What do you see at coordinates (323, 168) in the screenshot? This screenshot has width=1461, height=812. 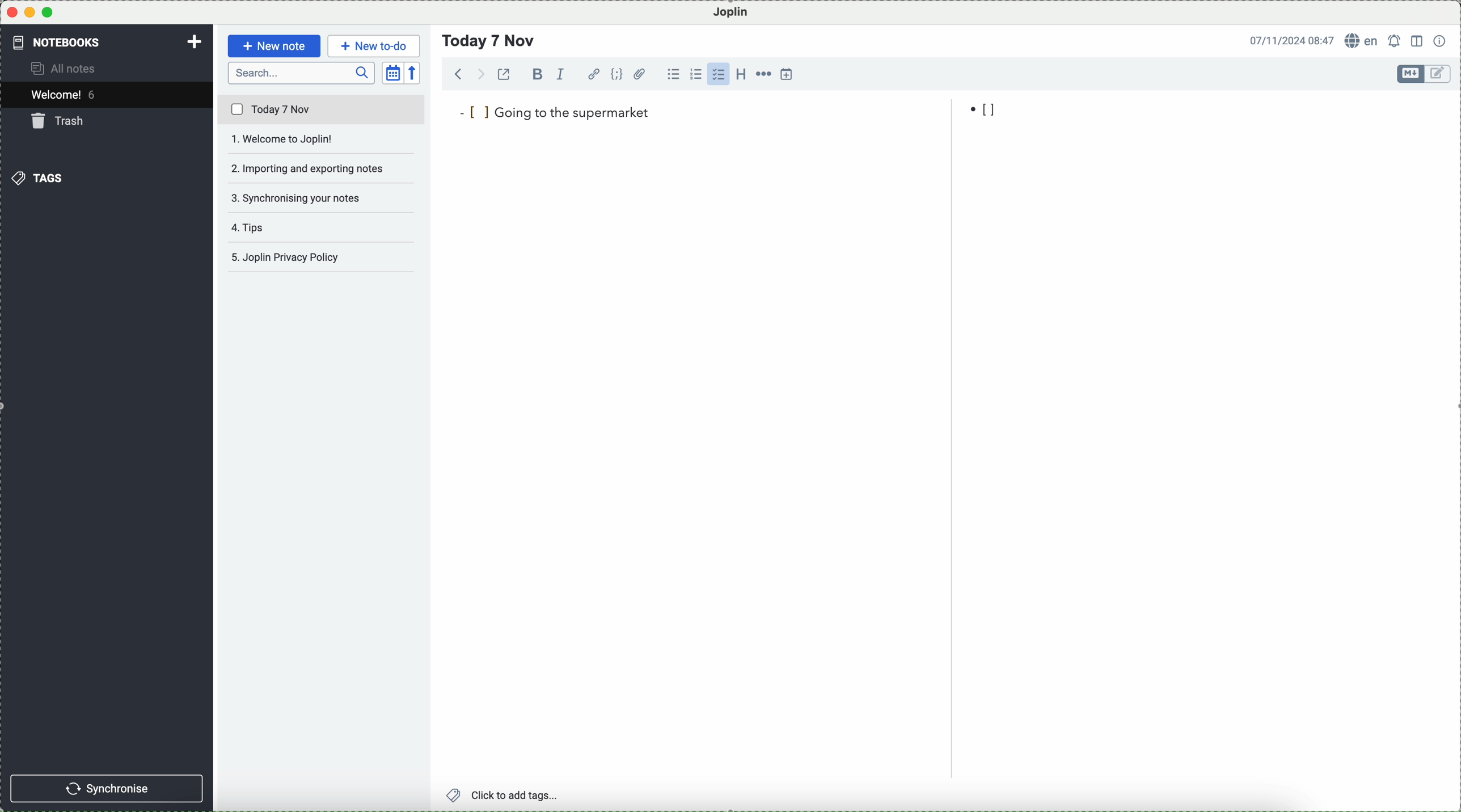 I see `importing and exporting notes` at bounding box center [323, 168].